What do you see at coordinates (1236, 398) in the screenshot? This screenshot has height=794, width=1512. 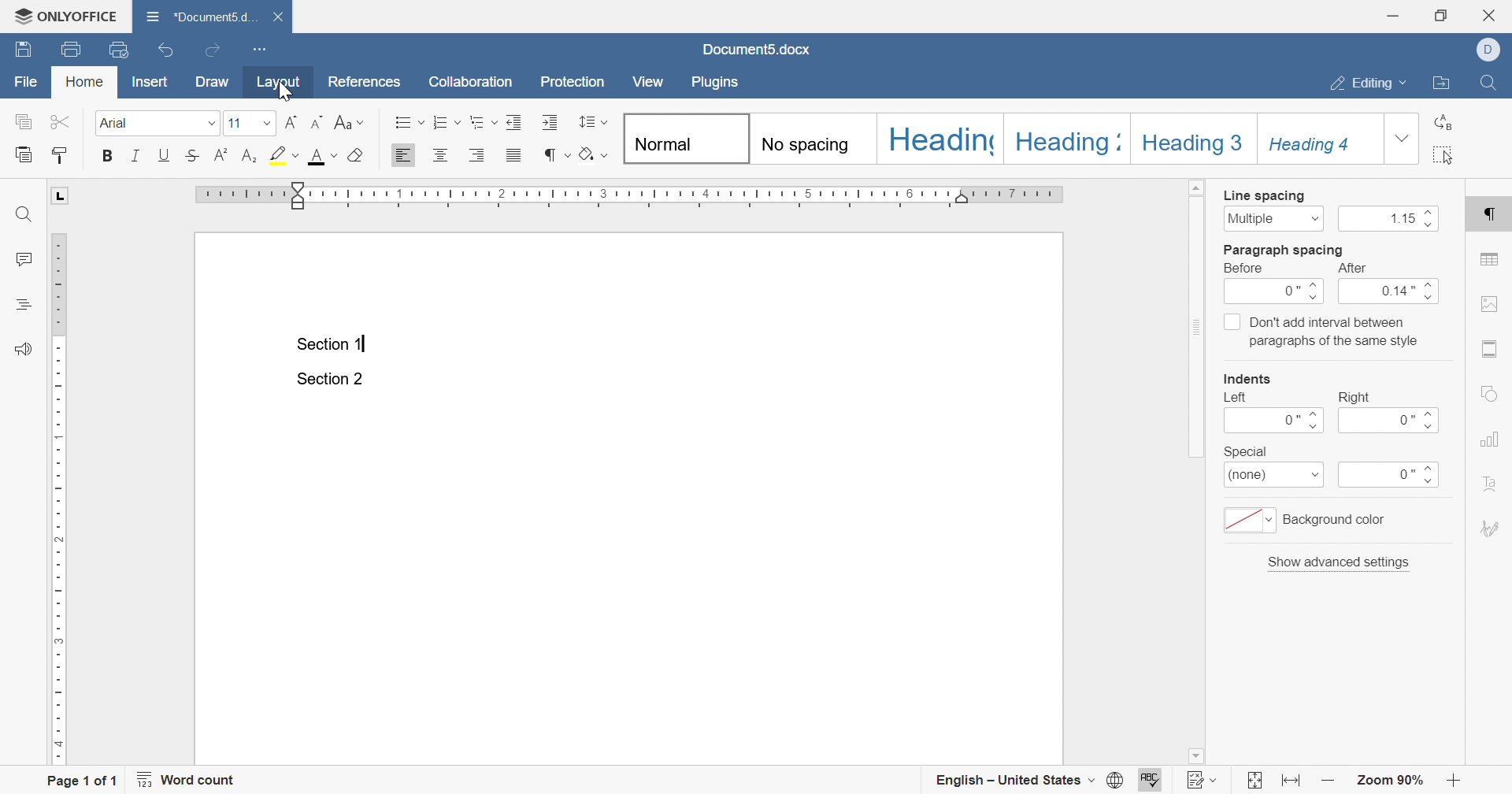 I see `left` at bounding box center [1236, 398].